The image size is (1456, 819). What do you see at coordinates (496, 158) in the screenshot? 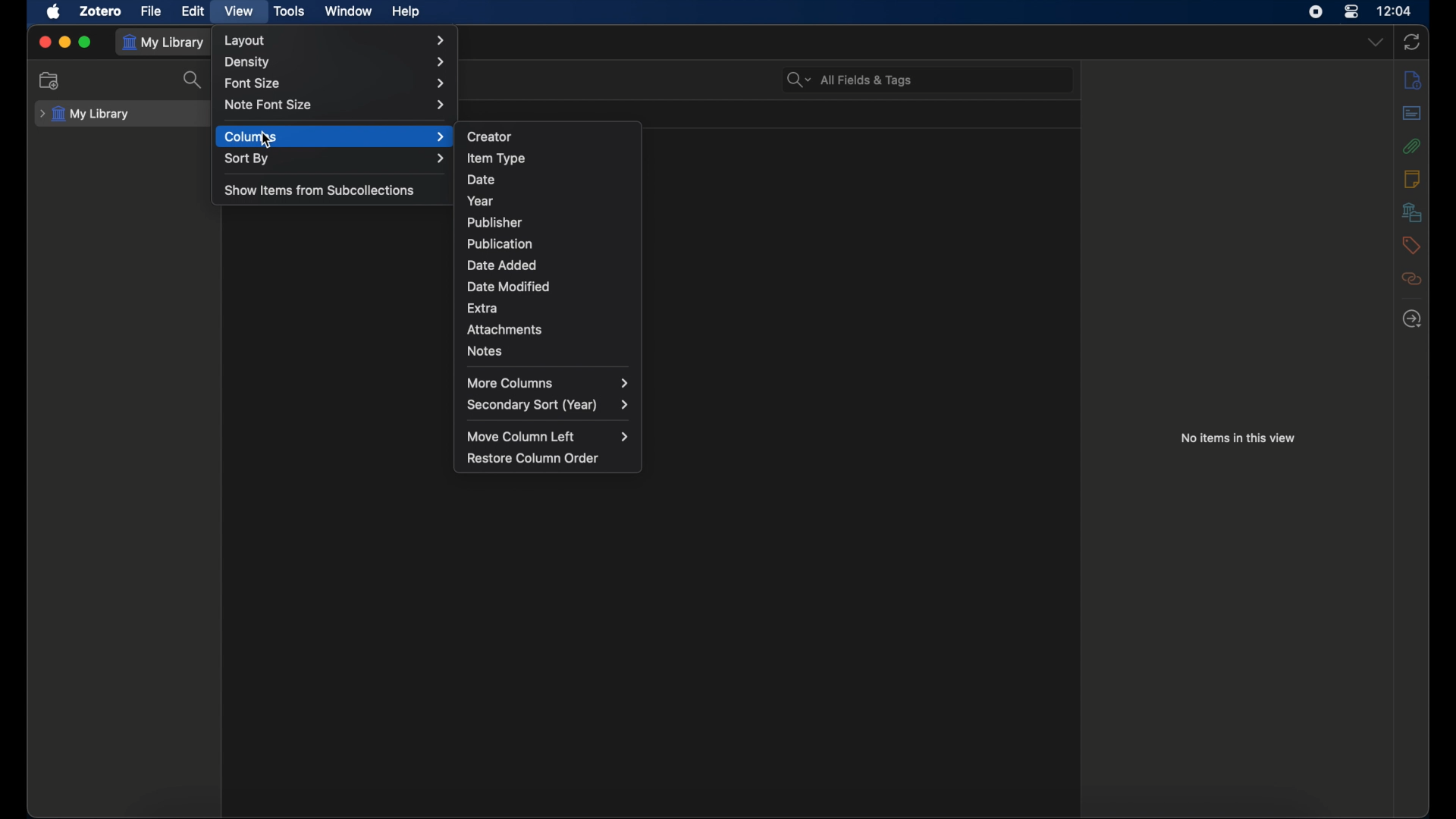
I see `item type` at bounding box center [496, 158].